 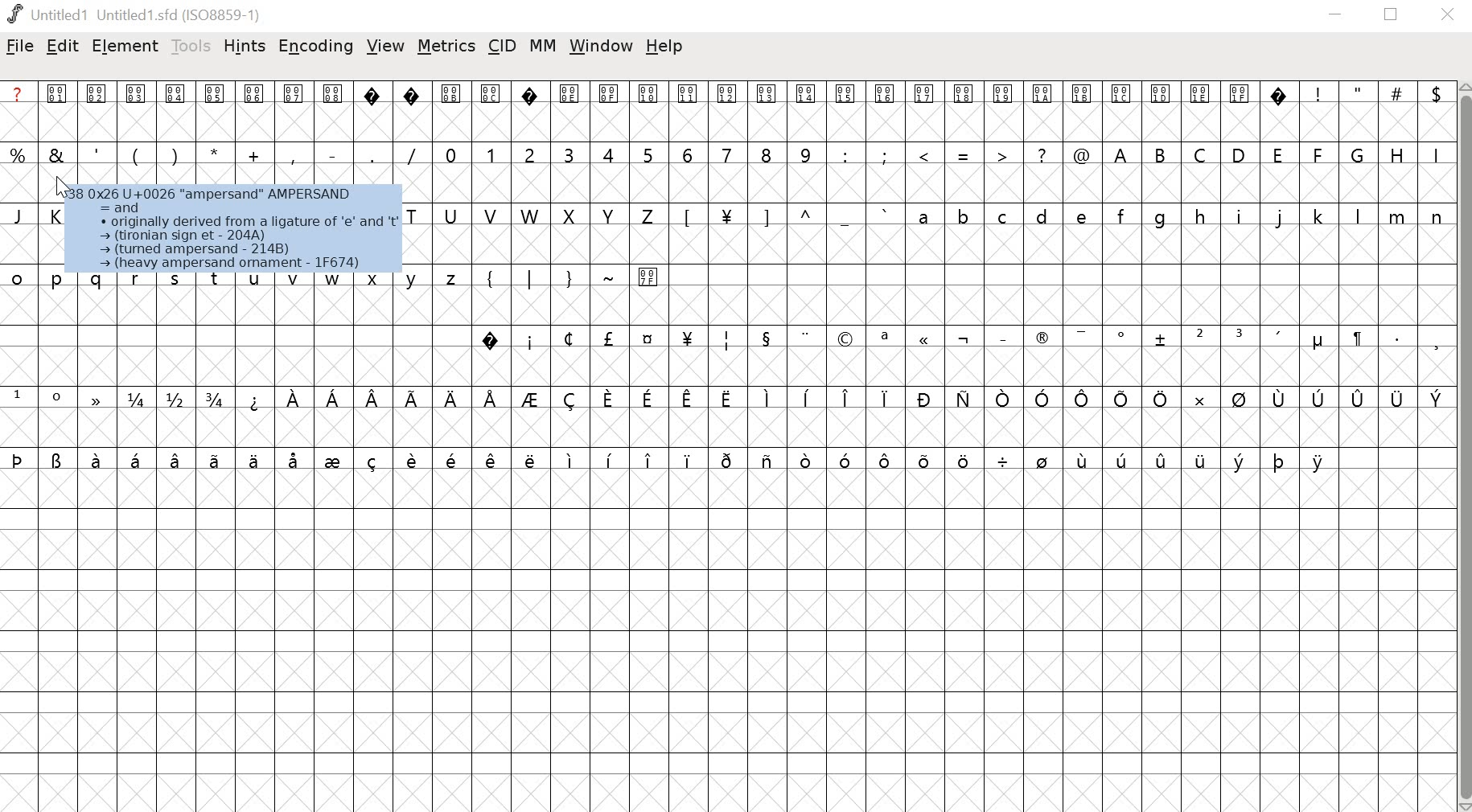 I want to click on symbol, so click(x=1043, y=459).